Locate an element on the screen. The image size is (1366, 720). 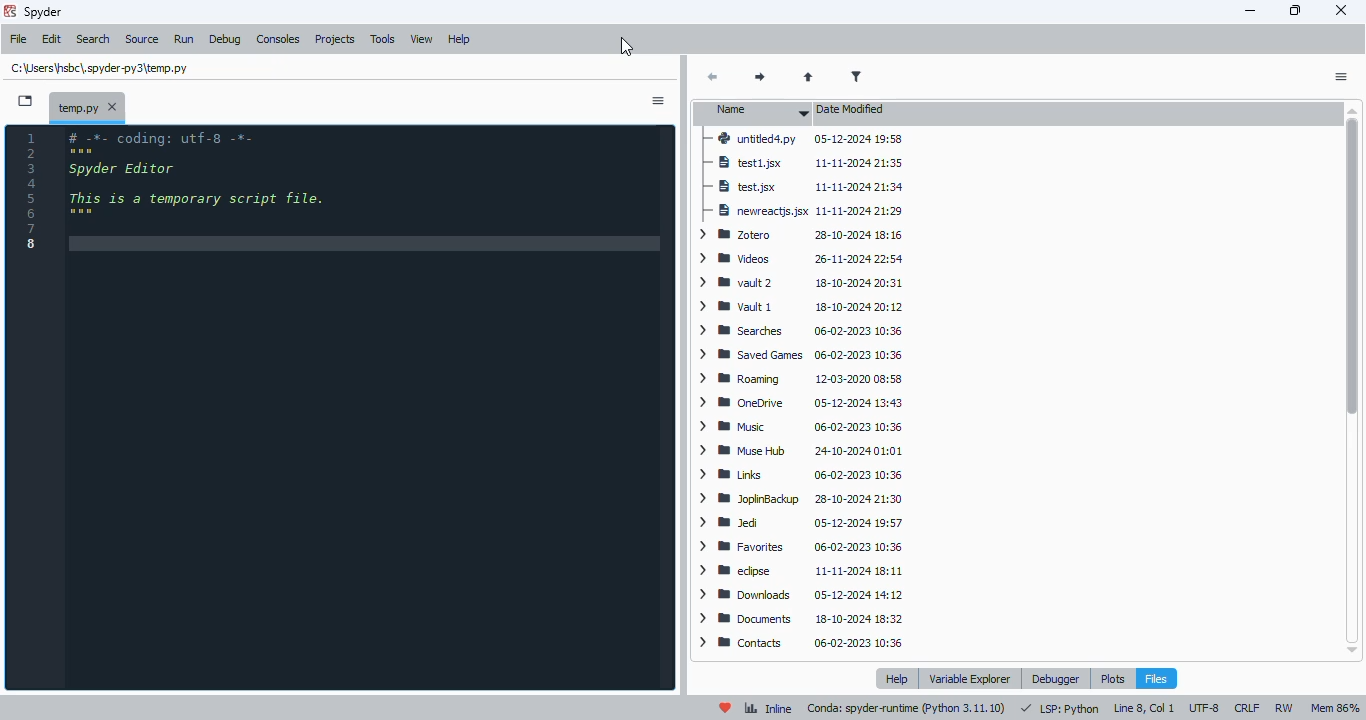
LSP: Python is located at coordinates (1060, 708).